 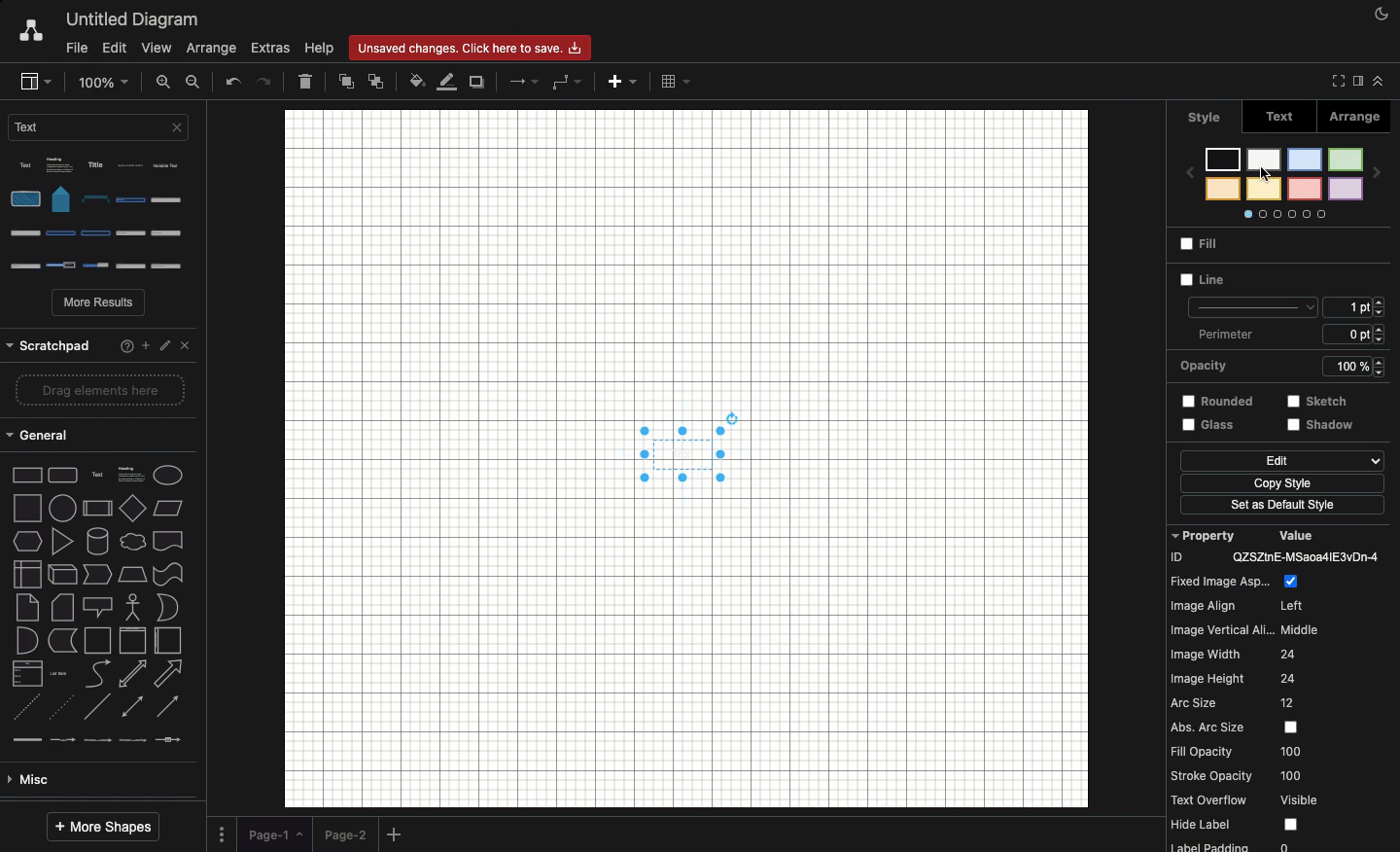 What do you see at coordinates (98, 673) in the screenshot?
I see `Basic` at bounding box center [98, 673].